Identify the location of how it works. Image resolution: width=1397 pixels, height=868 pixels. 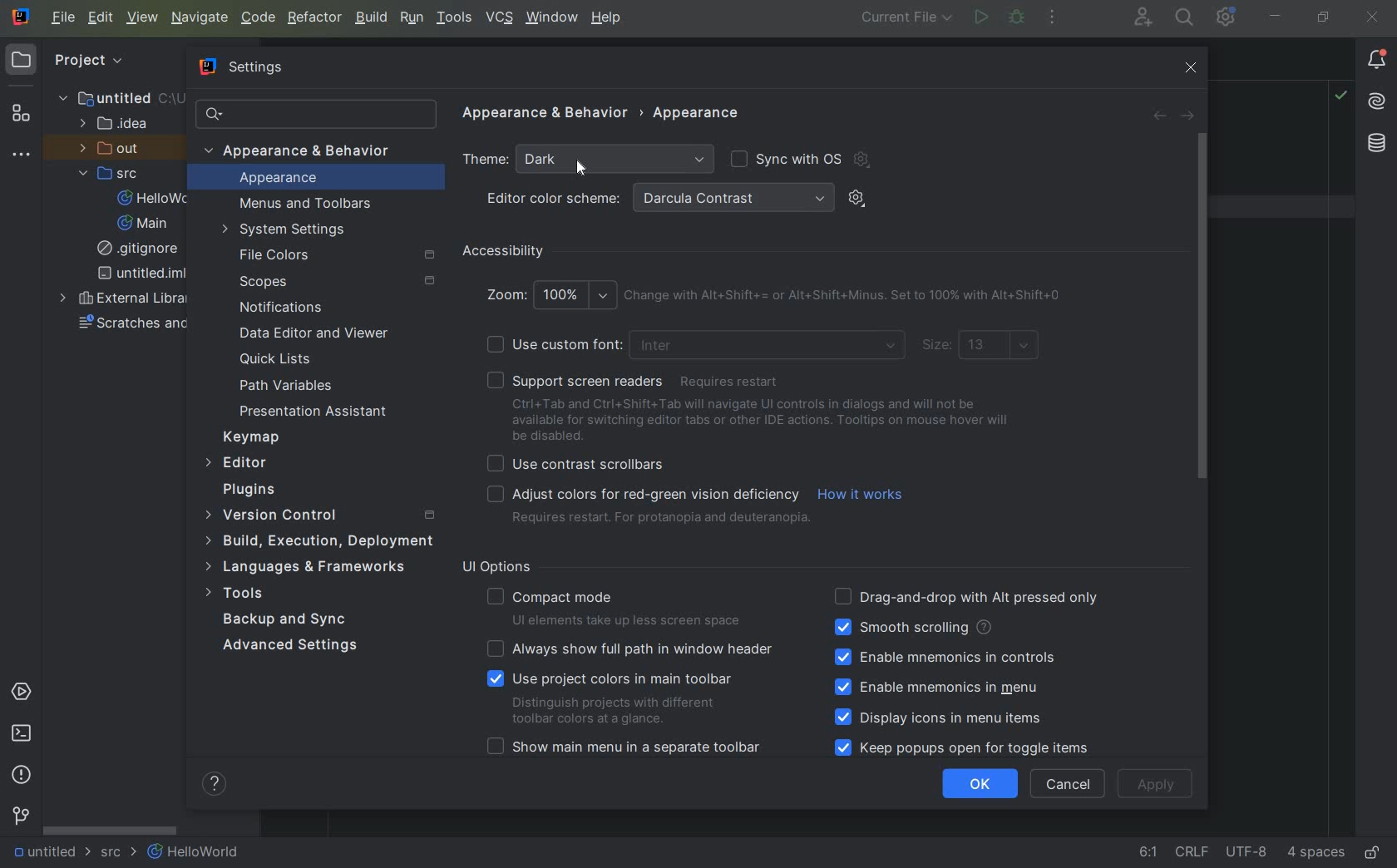
(863, 496).